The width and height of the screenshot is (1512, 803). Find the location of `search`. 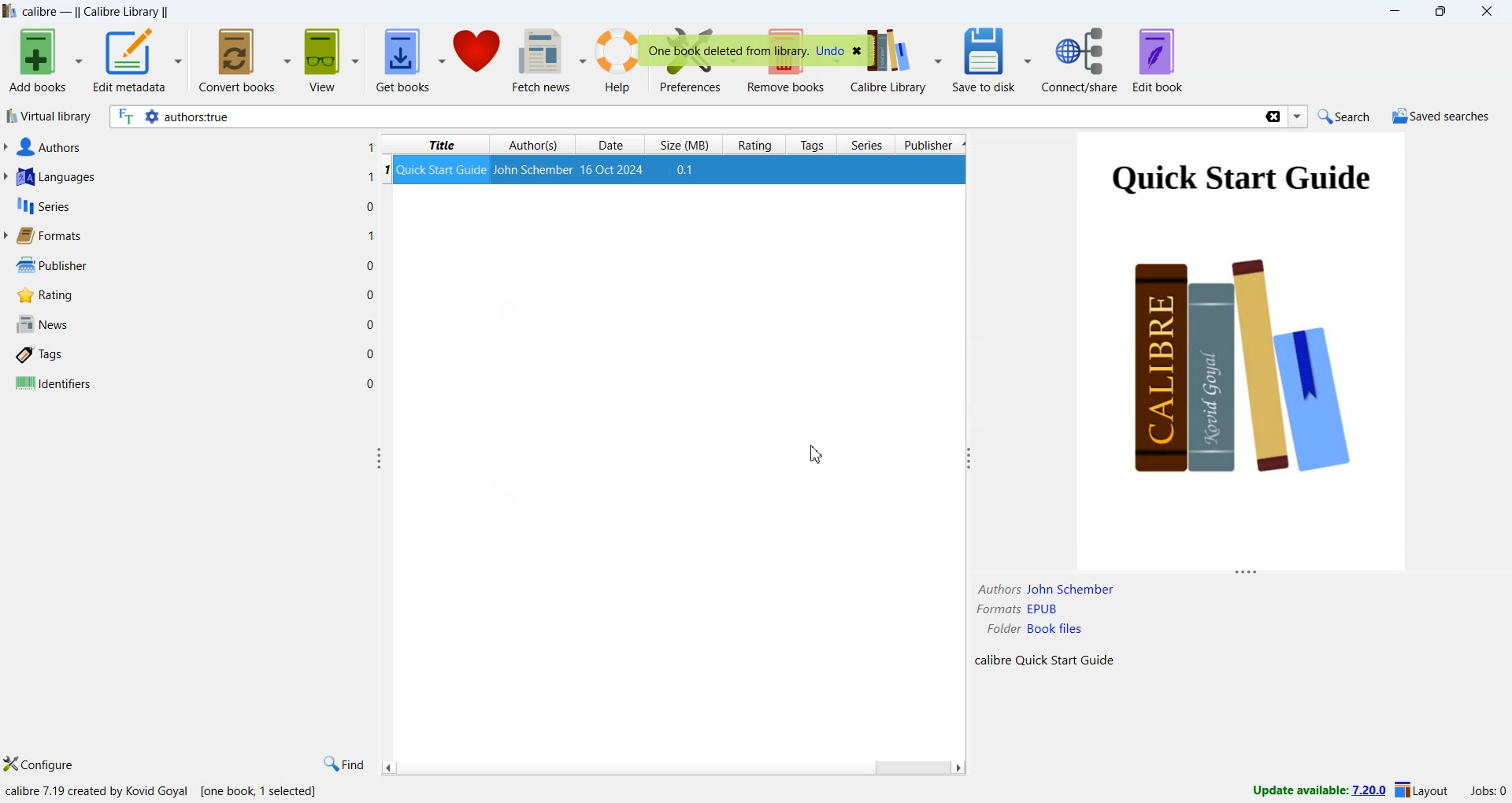

search is located at coordinates (1341, 116).